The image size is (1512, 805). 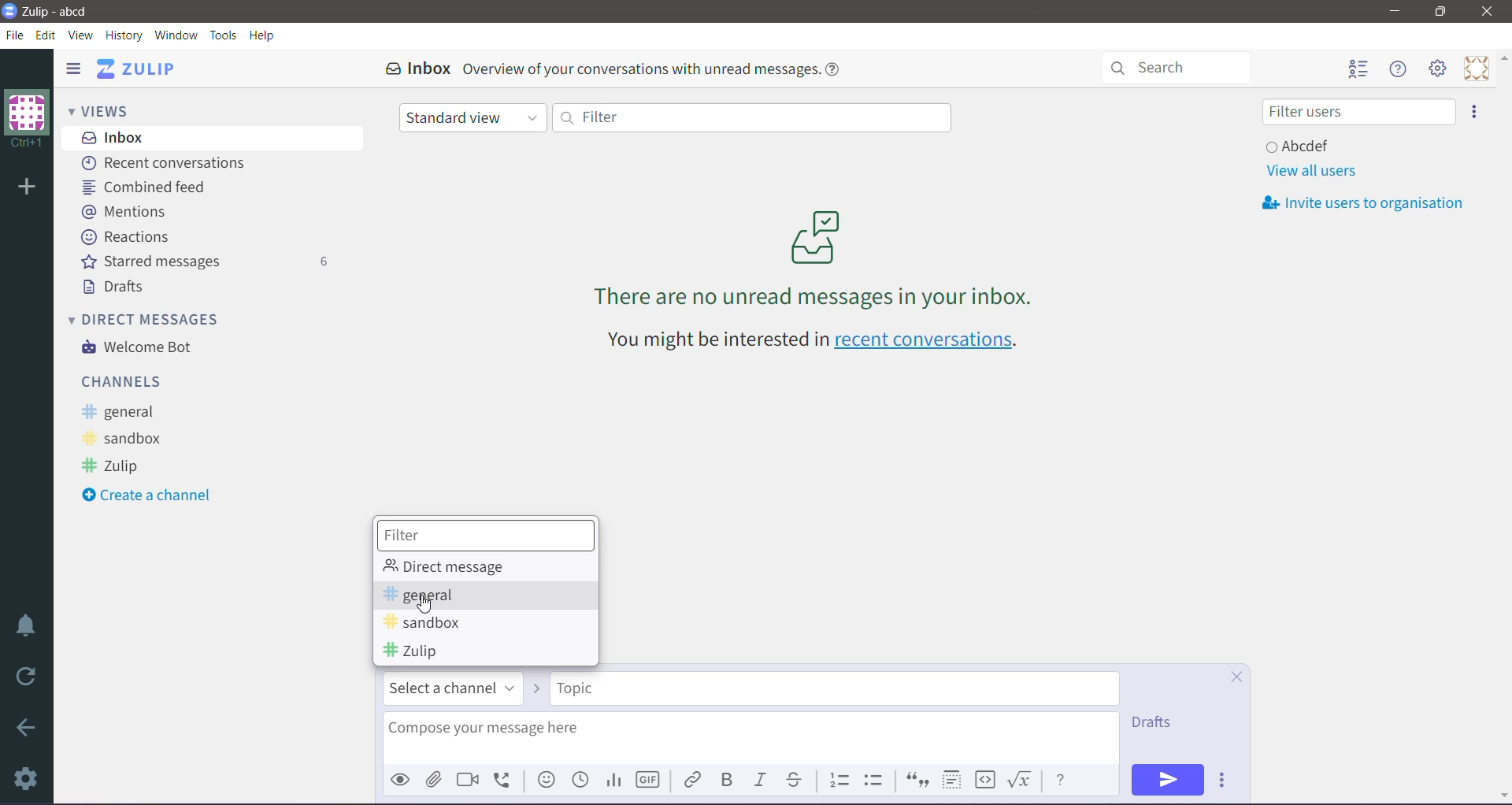 I want to click on Close, so click(x=1489, y=12).